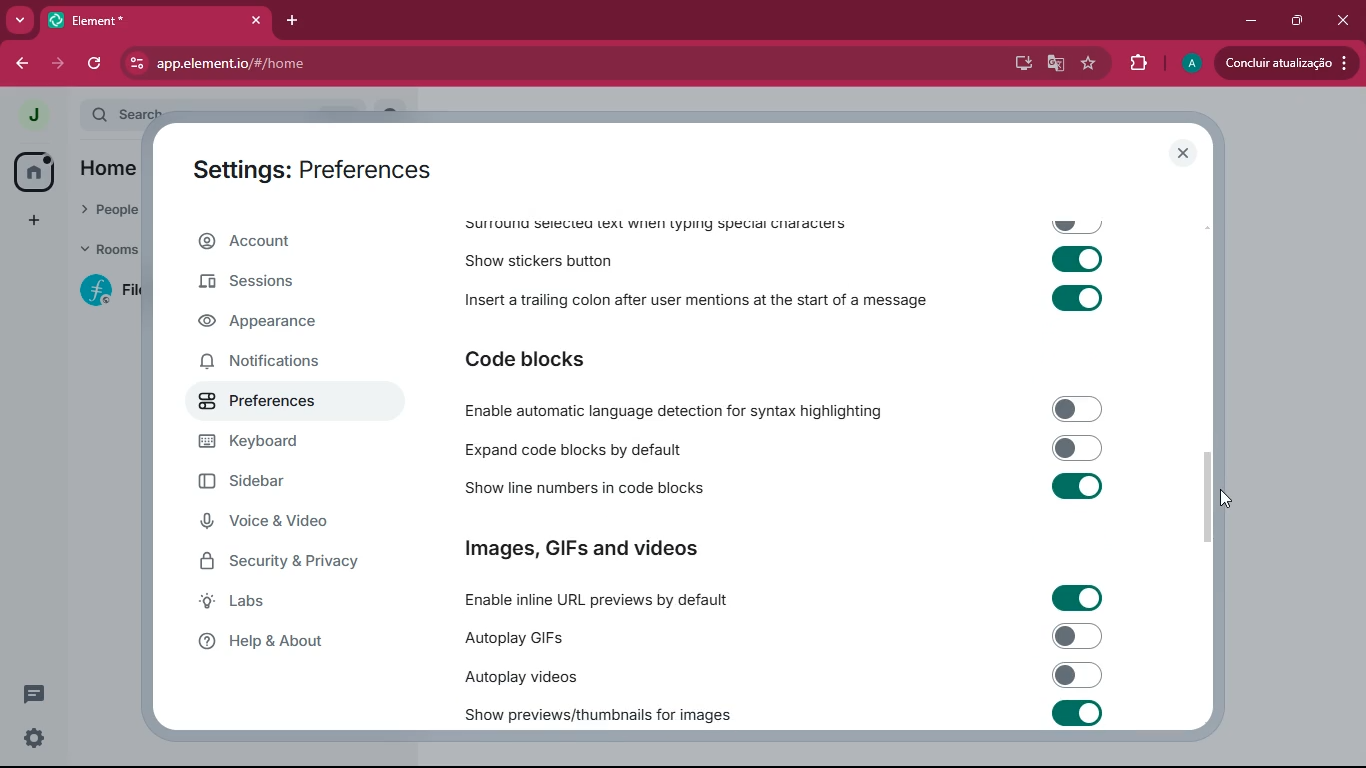  I want to click on element, so click(155, 20).